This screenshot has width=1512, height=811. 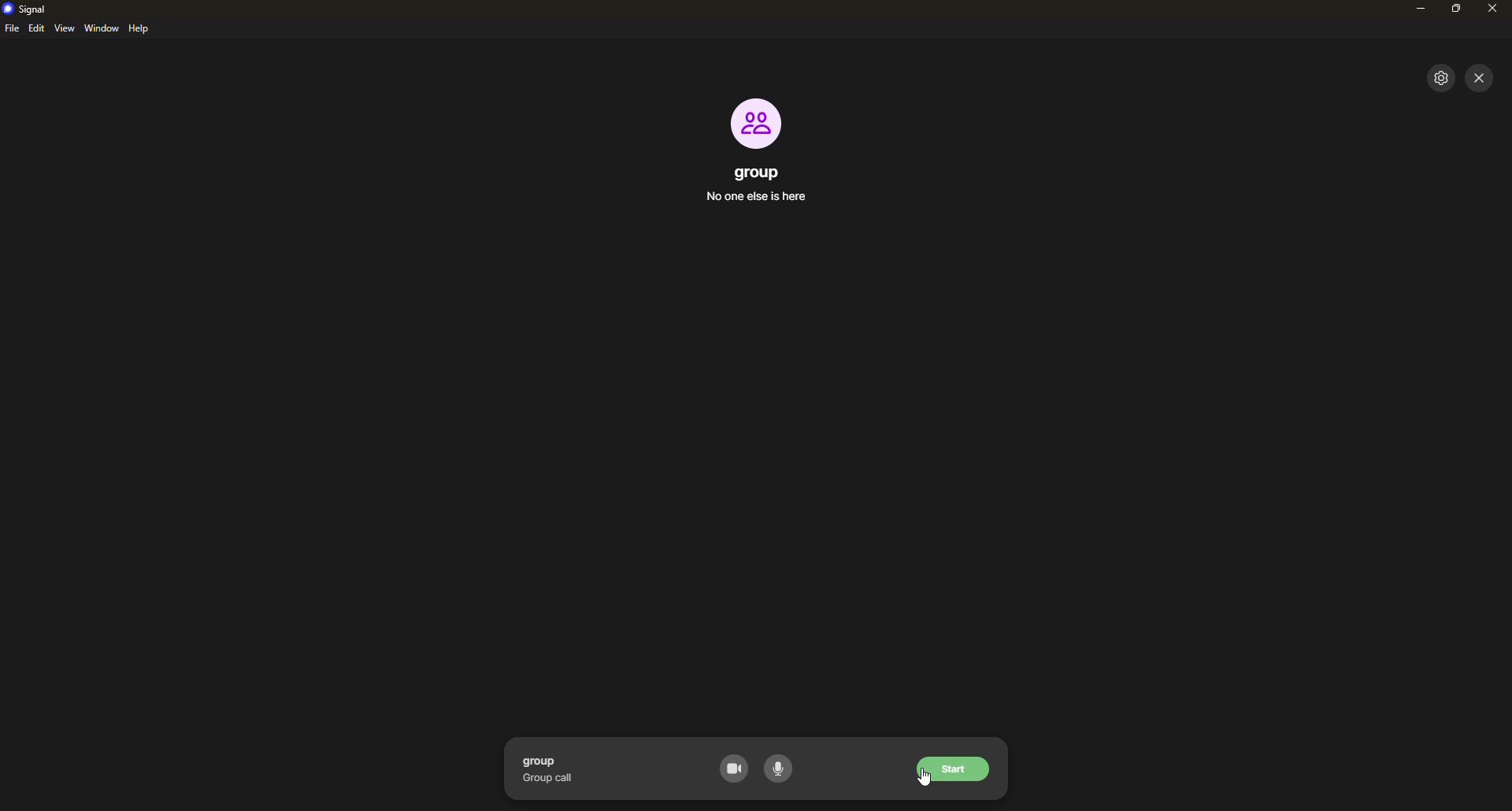 What do you see at coordinates (757, 123) in the screenshot?
I see `profile pic` at bounding box center [757, 123].